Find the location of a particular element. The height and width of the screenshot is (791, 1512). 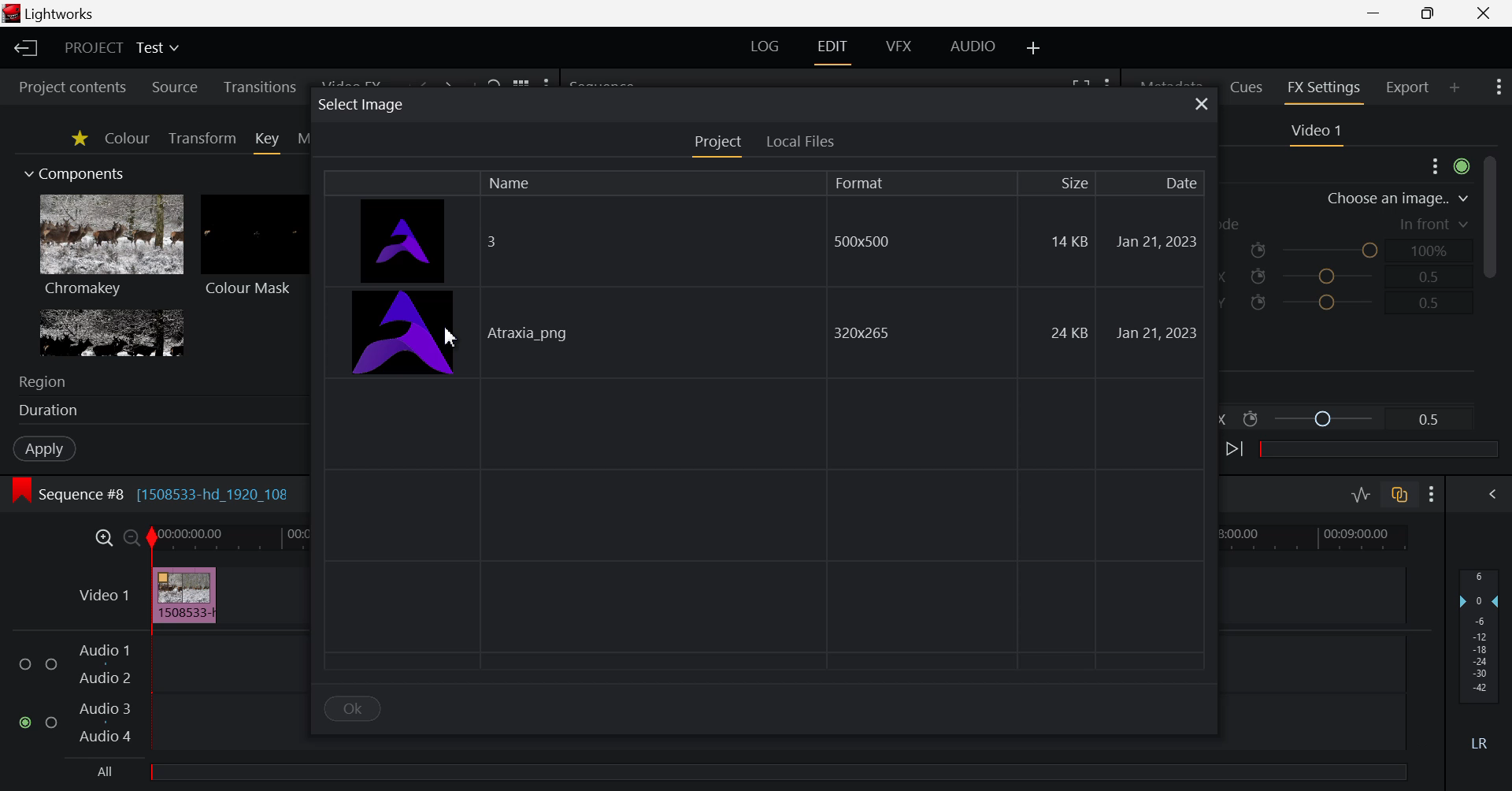

100% is located at coordinates (1429, 249).